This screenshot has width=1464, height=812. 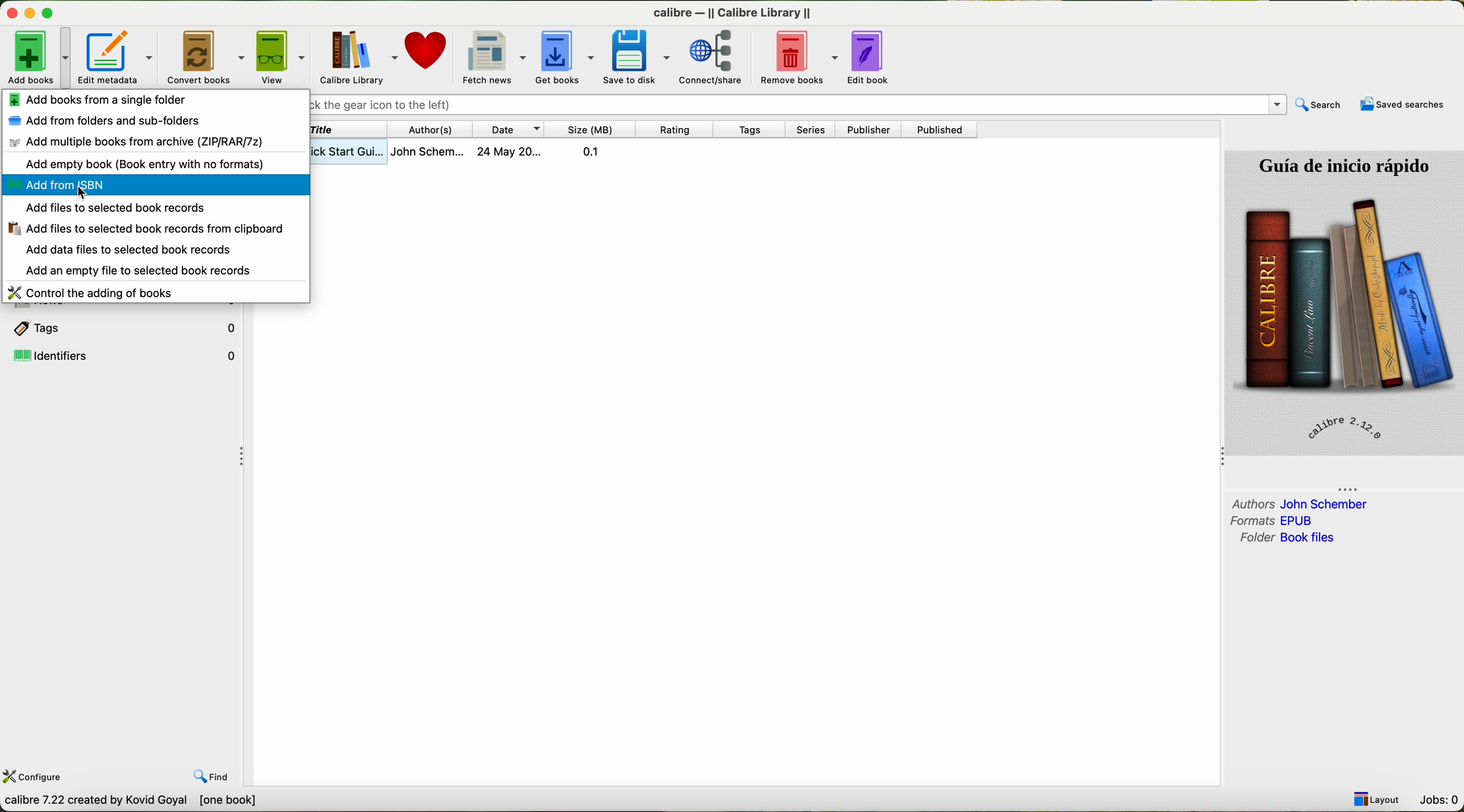 I want to click on add data files to selected book records, so click(x=128, y=250).